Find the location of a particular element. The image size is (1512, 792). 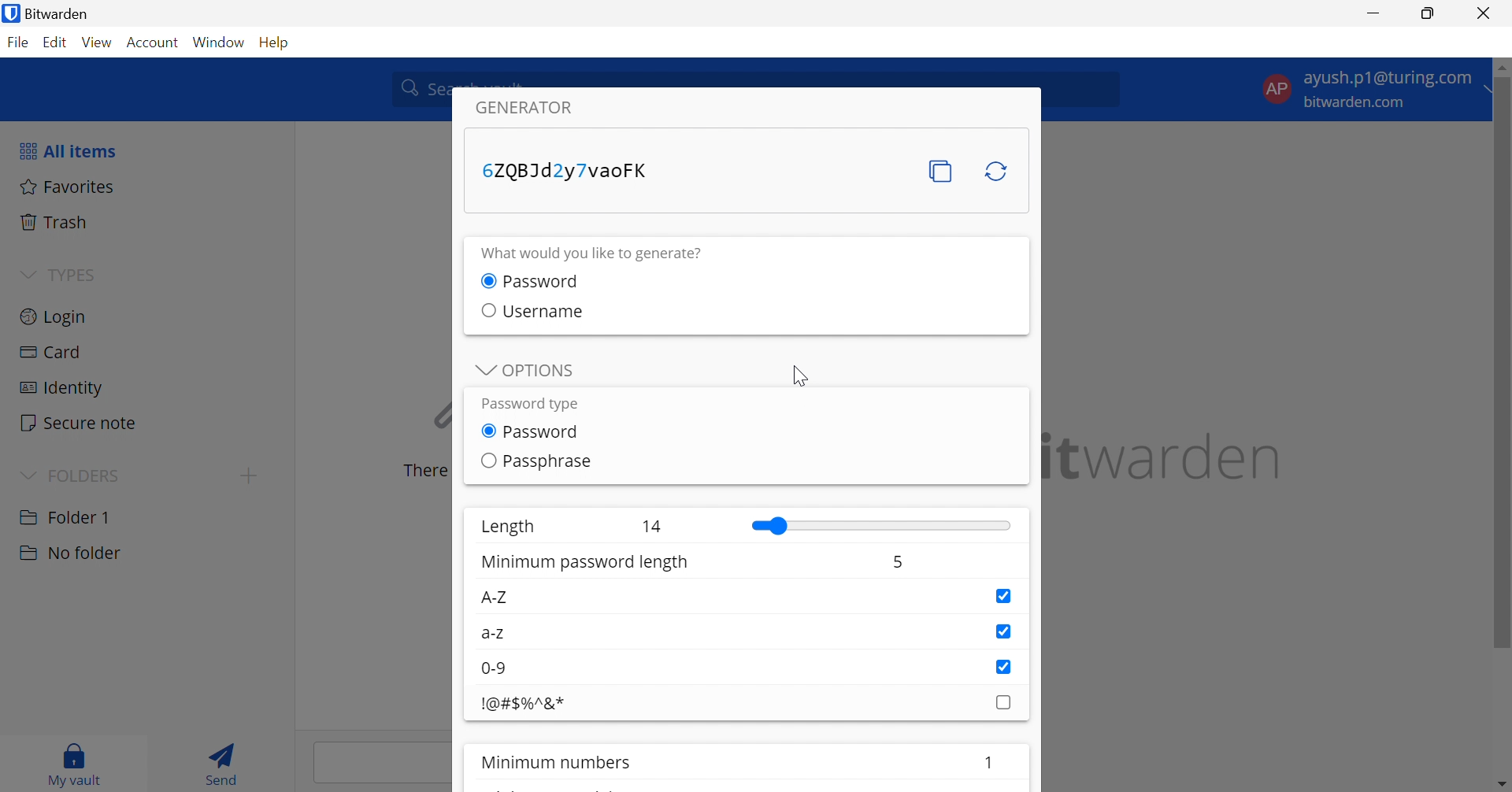

Favorites is located at coordinates (70, 187).